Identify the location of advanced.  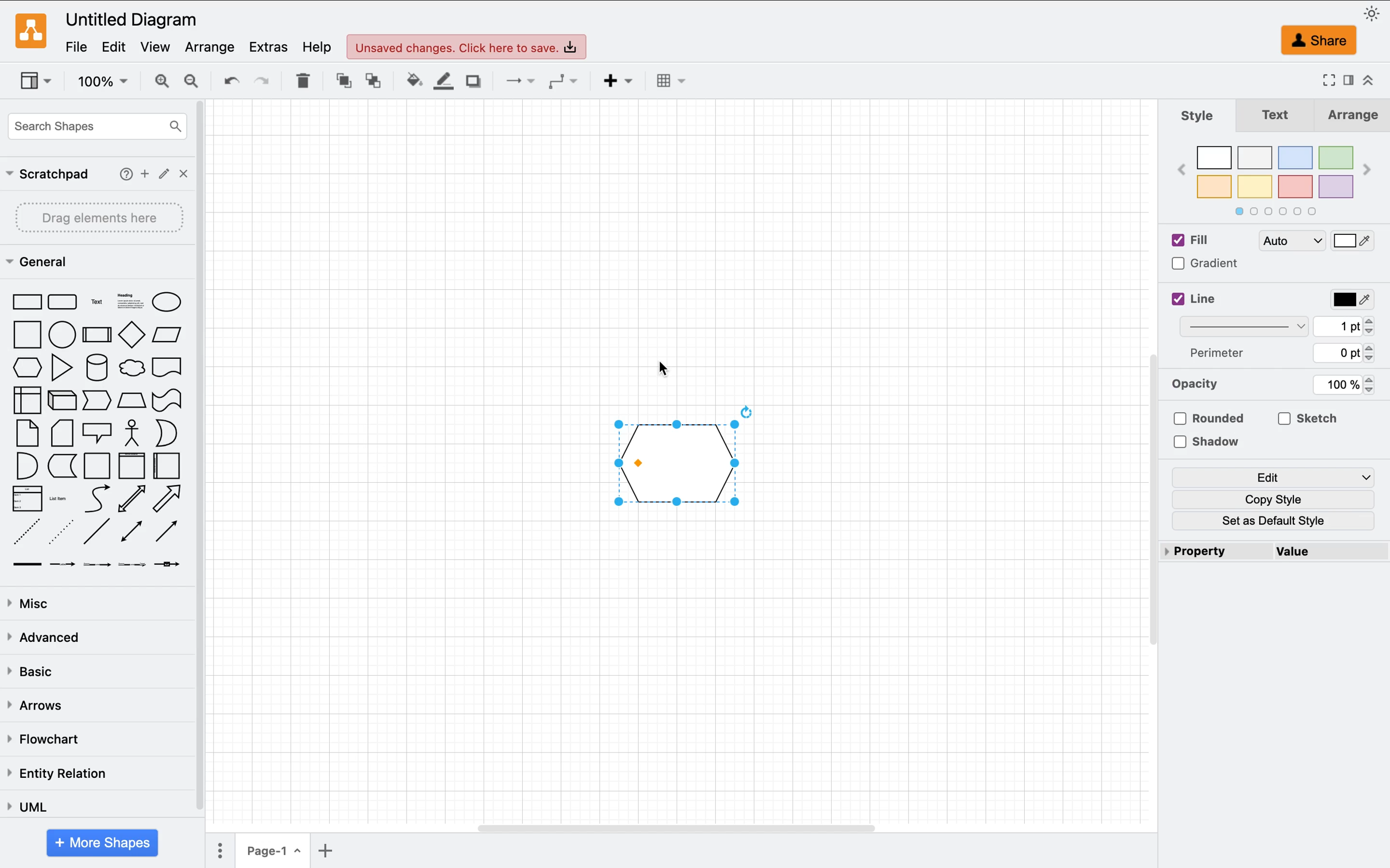
(43, 640).